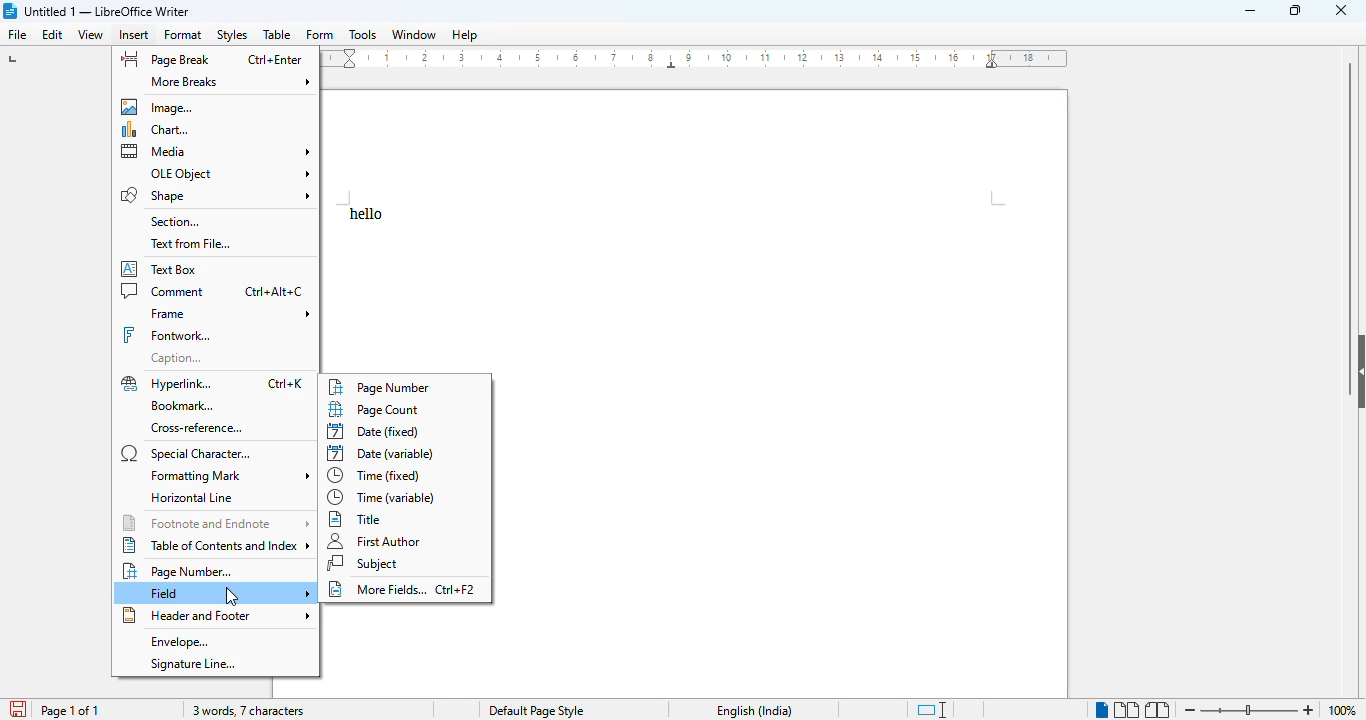 This screenshot has width=1366, height=720. Describe the element at coordinates (414, 34) in the screenshot. I see `window` at that location.